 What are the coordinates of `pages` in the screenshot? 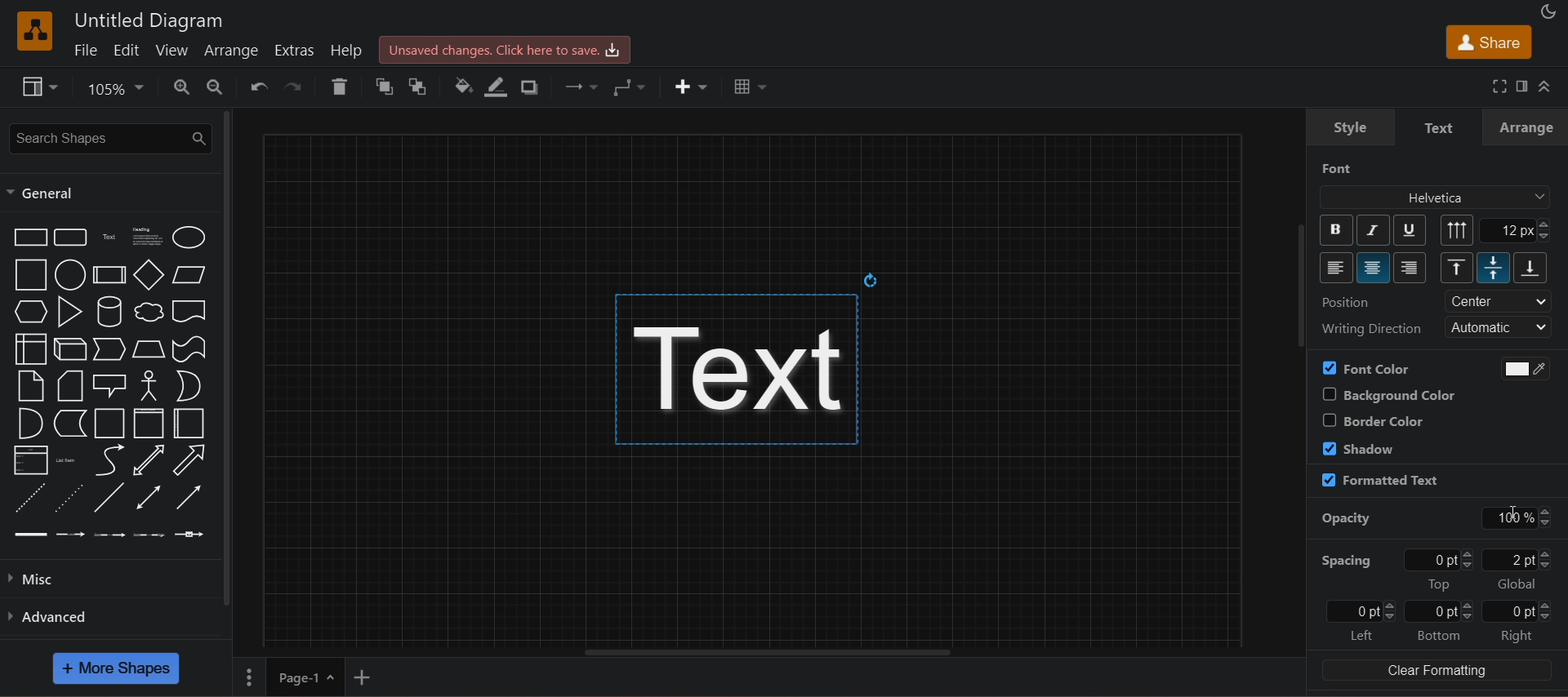 It's located at (247, 676).